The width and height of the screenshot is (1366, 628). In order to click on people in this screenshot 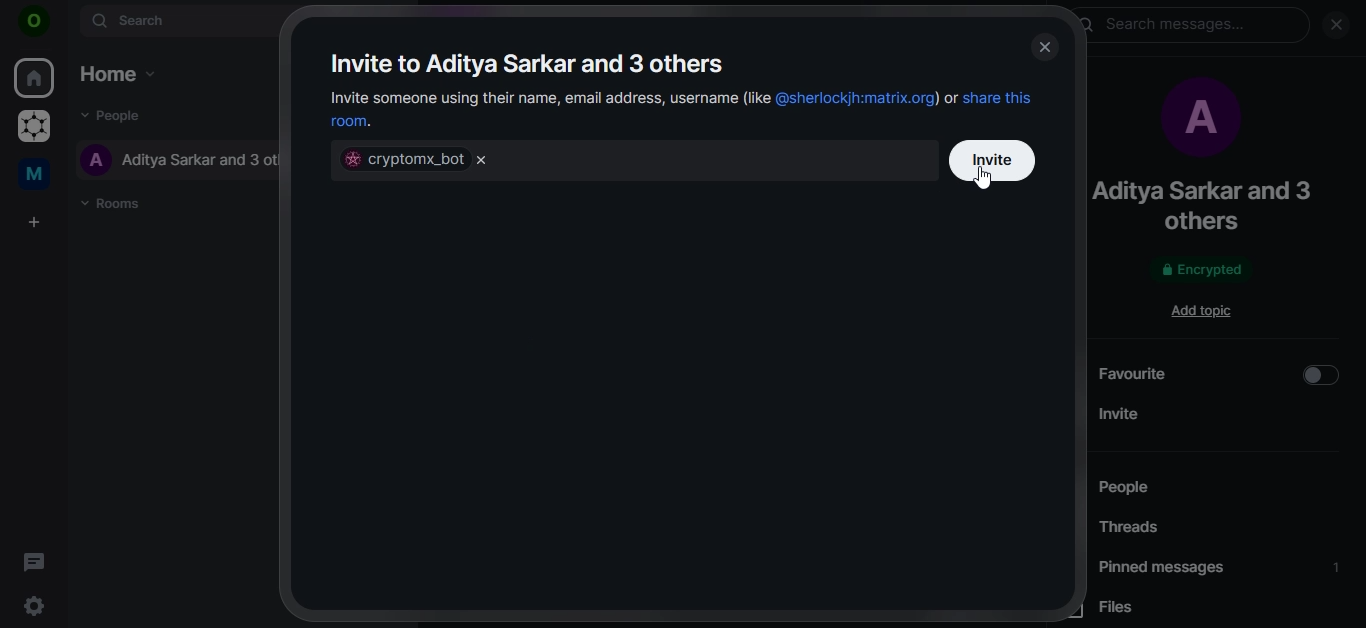, I will do `click(113, 117)`.